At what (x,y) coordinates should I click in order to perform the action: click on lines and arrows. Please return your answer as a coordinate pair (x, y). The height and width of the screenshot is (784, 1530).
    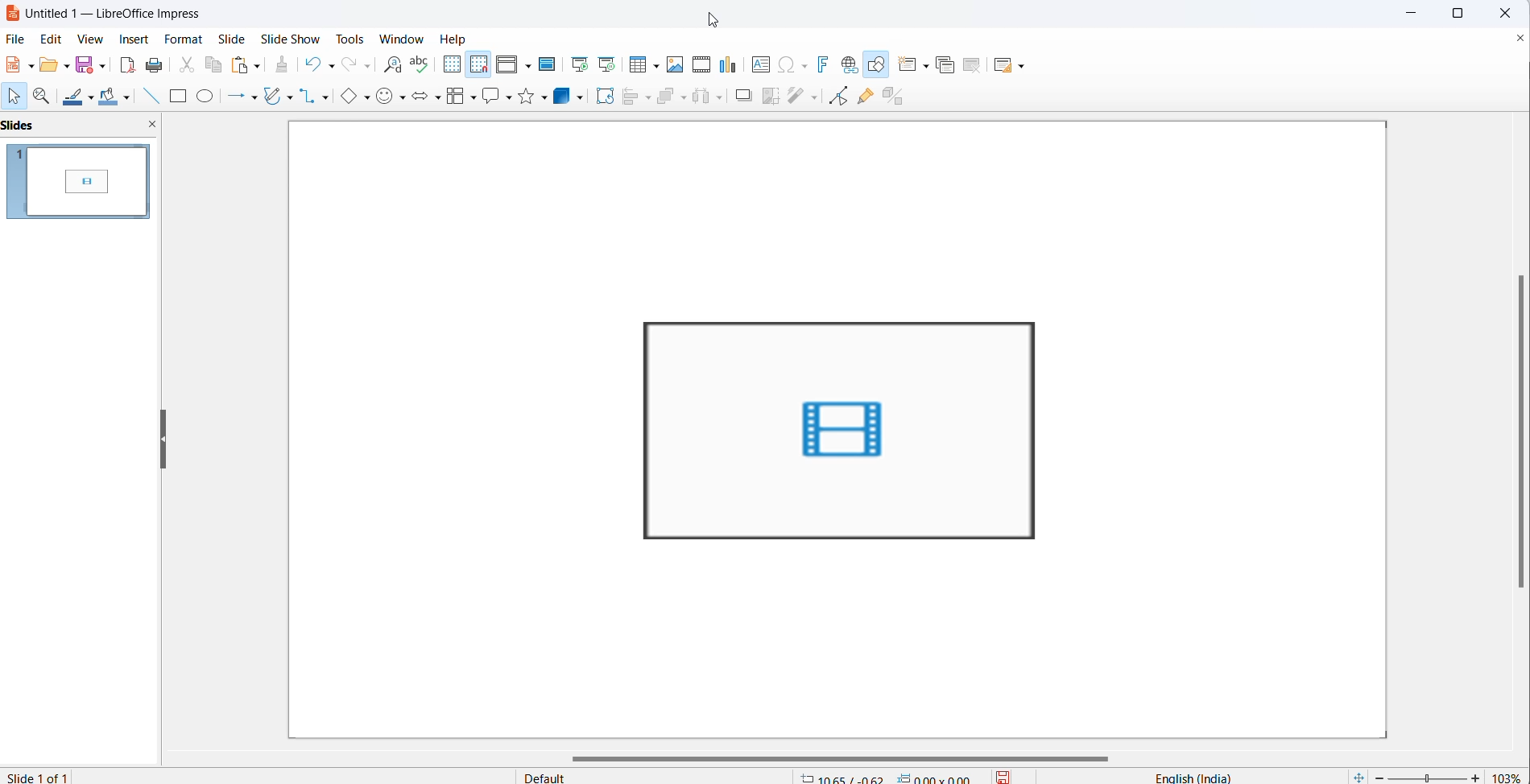
    Looking at the image, I should click on (236, 97).